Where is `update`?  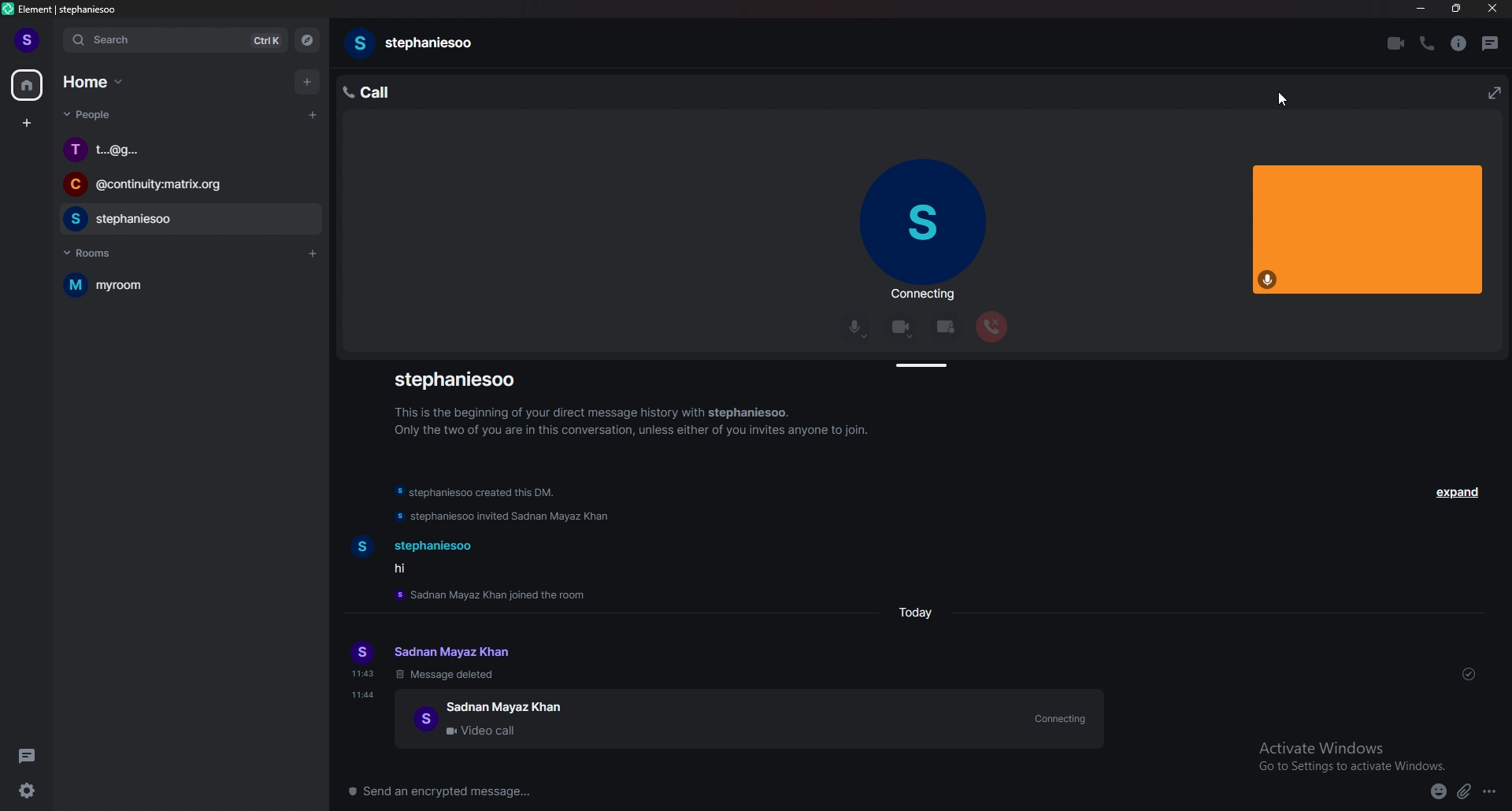
update is located at coordinates (506, 520).